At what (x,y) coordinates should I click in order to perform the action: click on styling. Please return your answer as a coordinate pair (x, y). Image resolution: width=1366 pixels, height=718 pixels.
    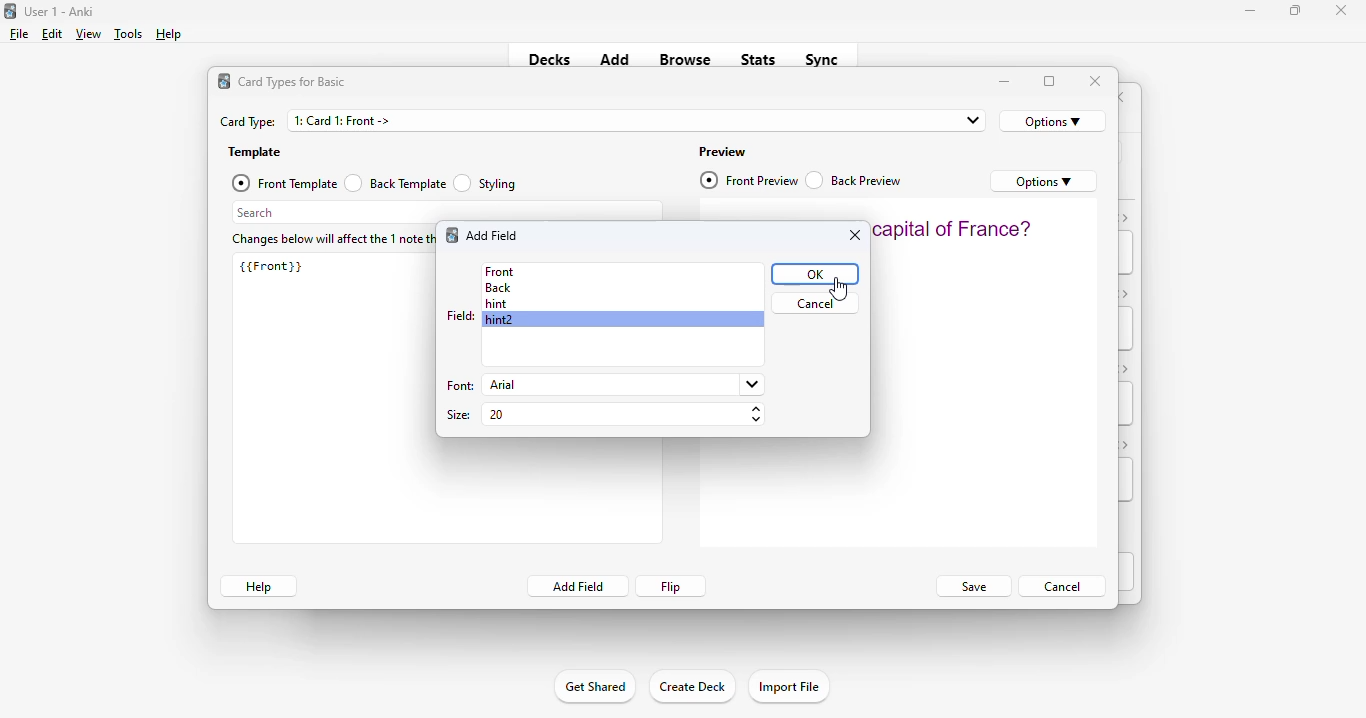
    Looking at the image, I should click on (486, 182).